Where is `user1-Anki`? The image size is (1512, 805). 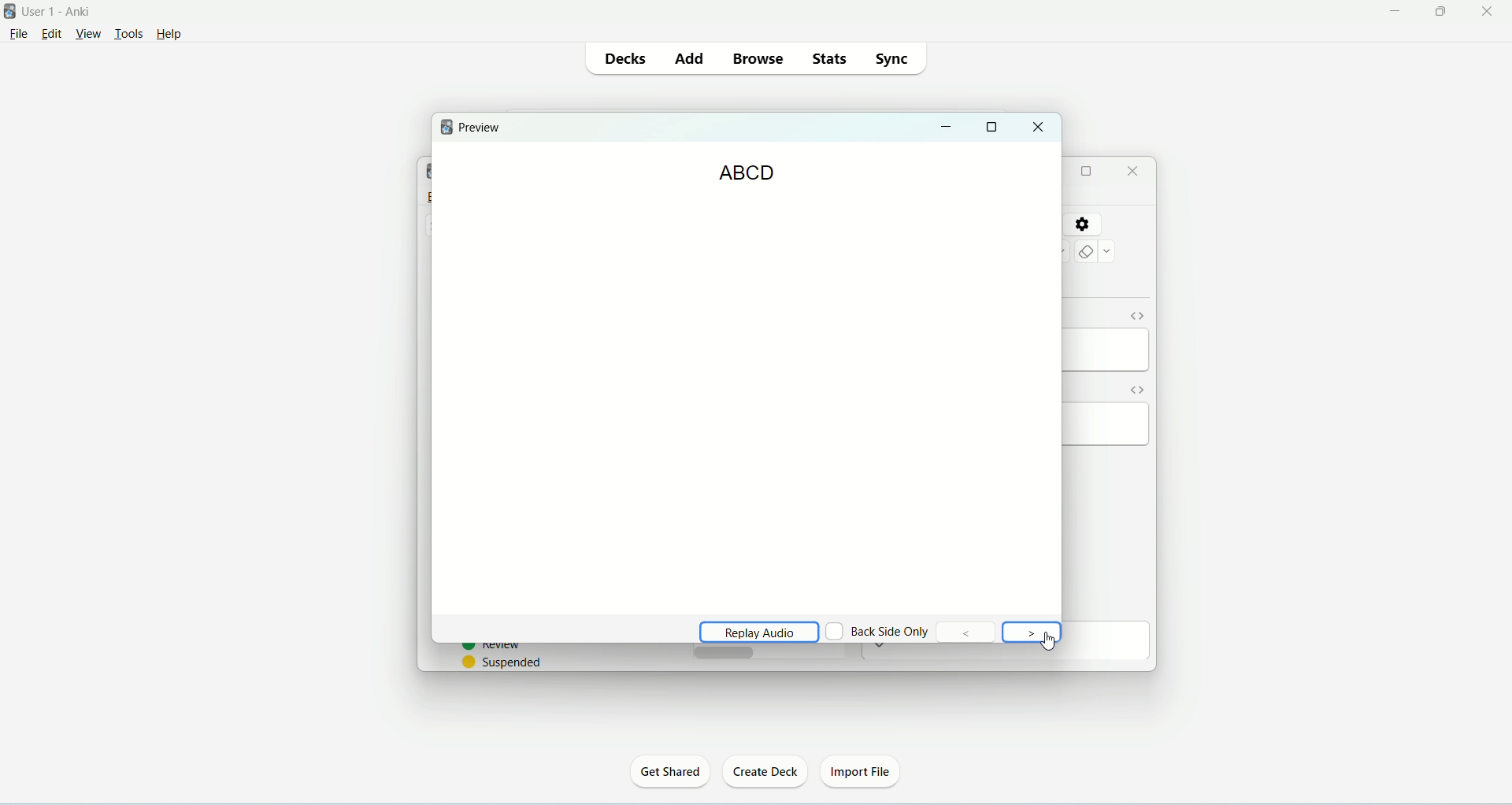
user1-Anki is located at coordinates (61, 12).